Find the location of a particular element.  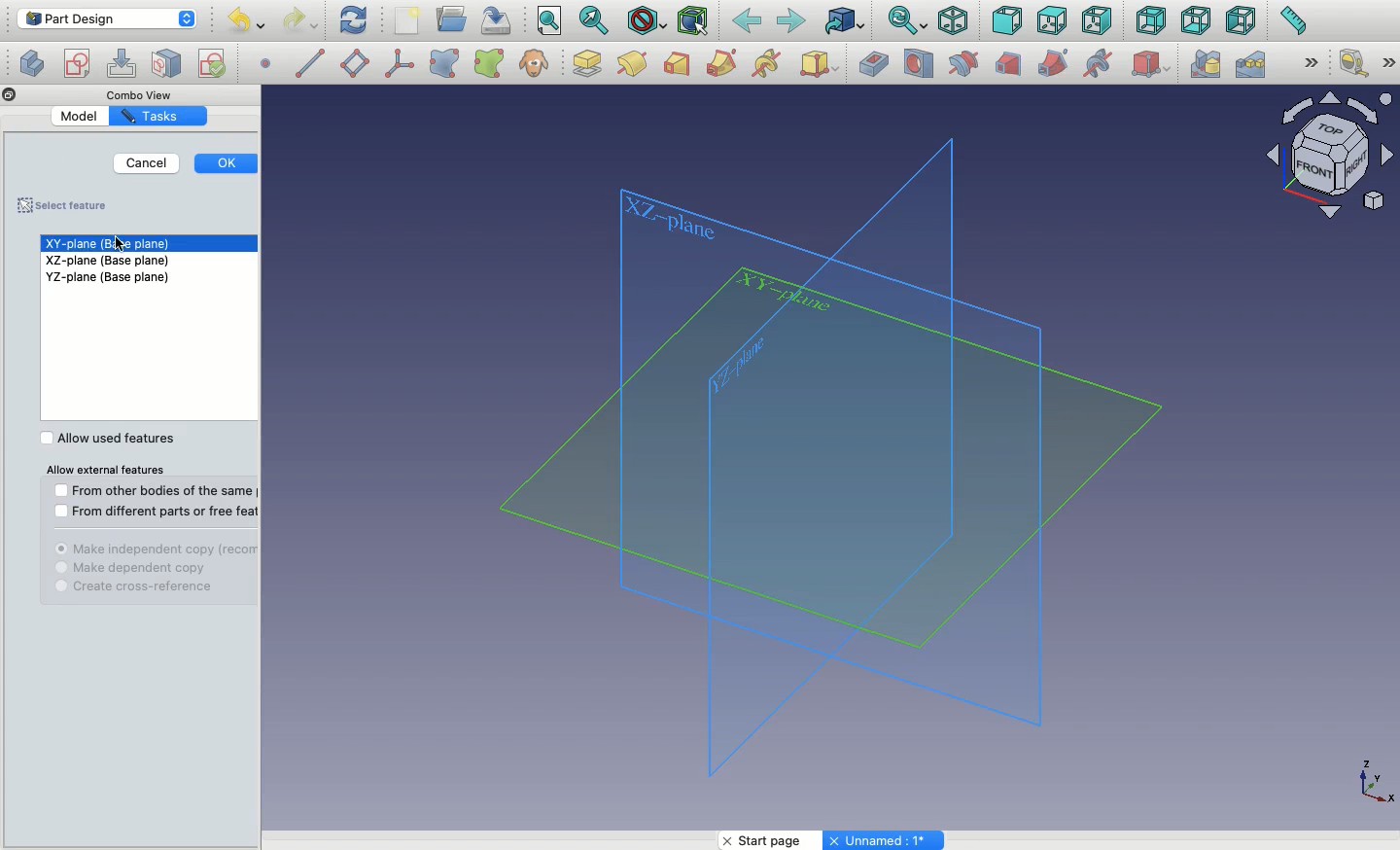

Fit all is located at coordinates (547, 22).